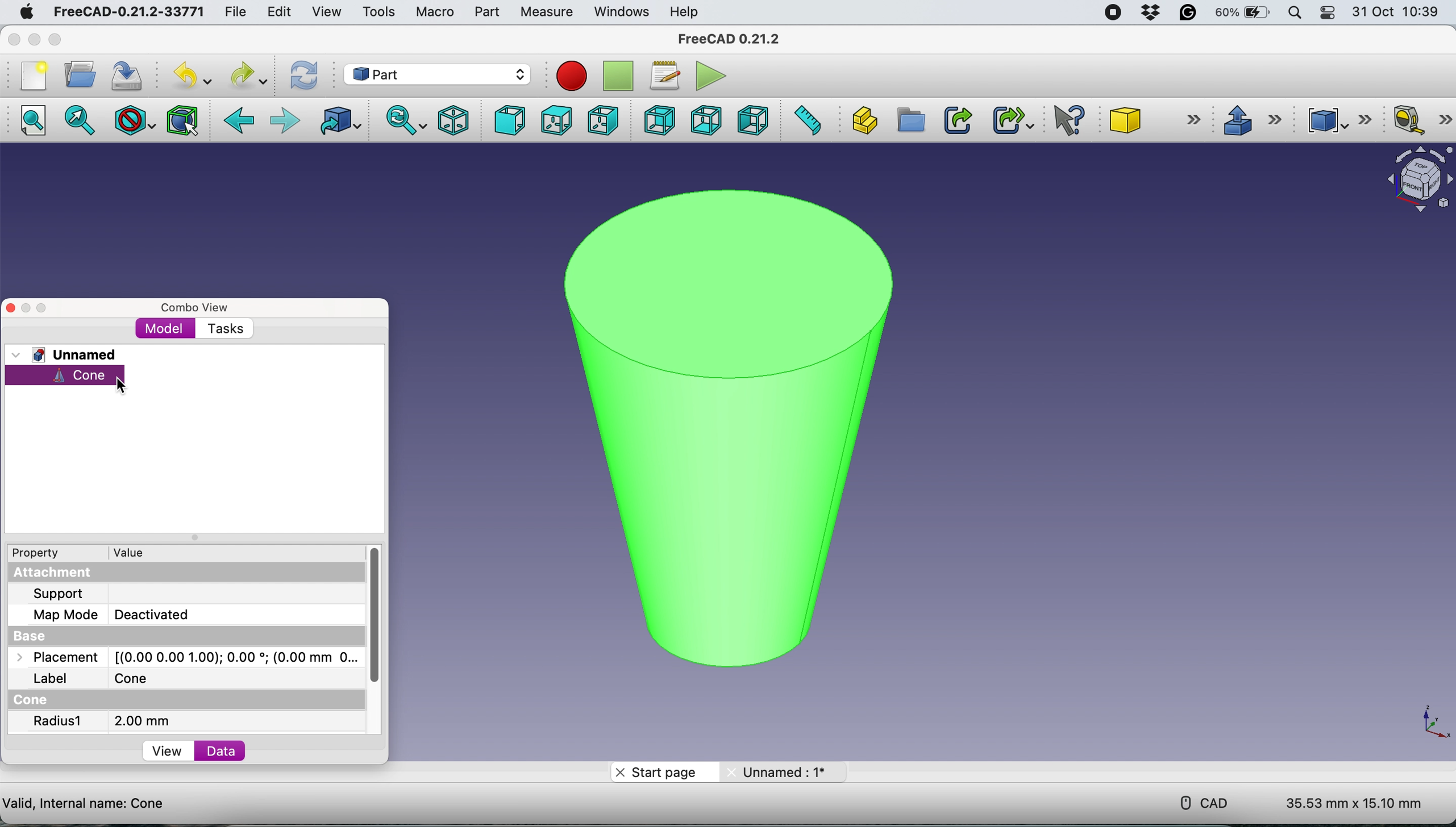 Image resolution: width=1456 pixels, height=827 pixels. I want to click on vertical scroll bar, so click(376, 620).